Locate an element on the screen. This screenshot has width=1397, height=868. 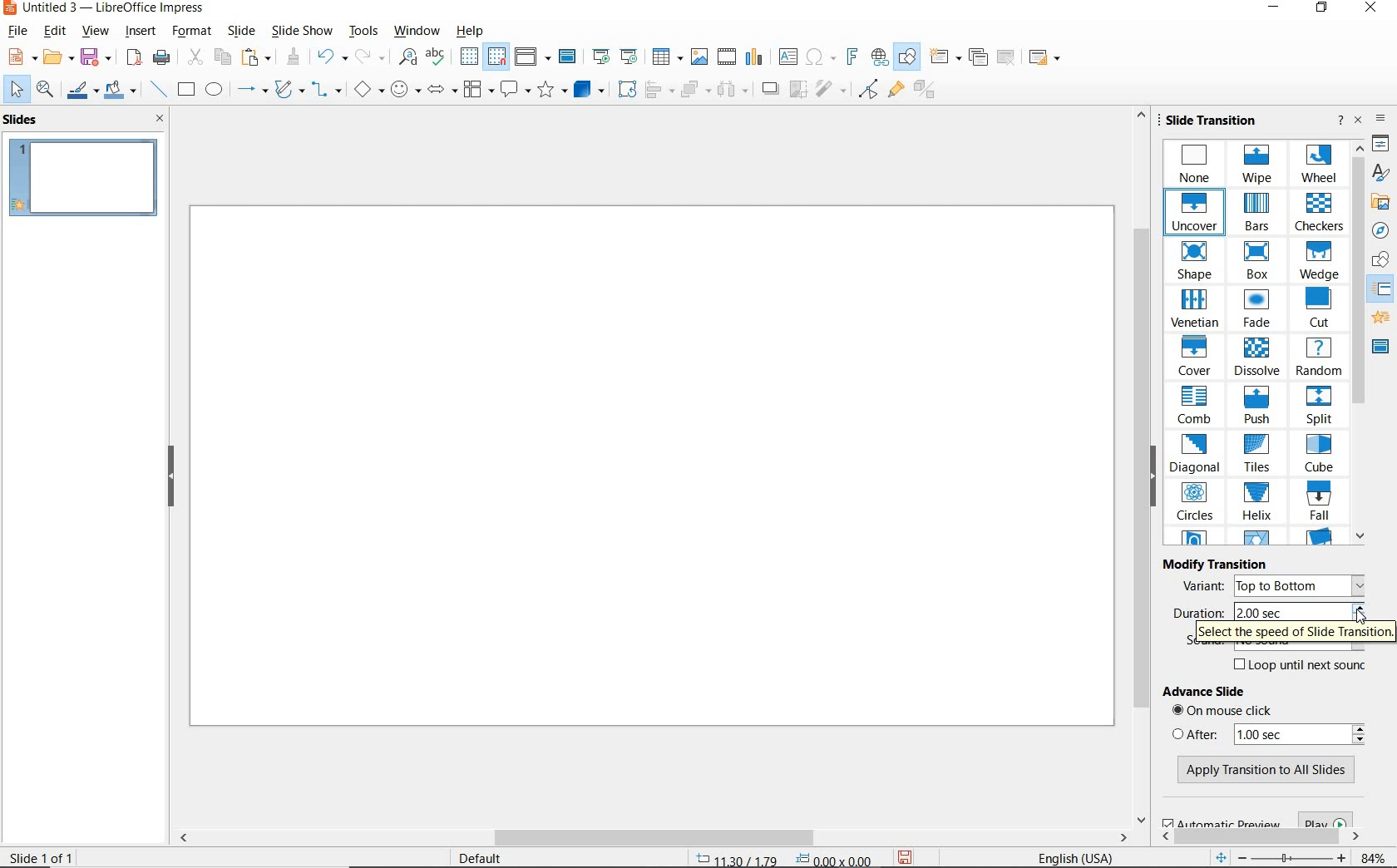
APPLY TRANSITION TO ALL SLIDES is located at coordinates (1264, 772).